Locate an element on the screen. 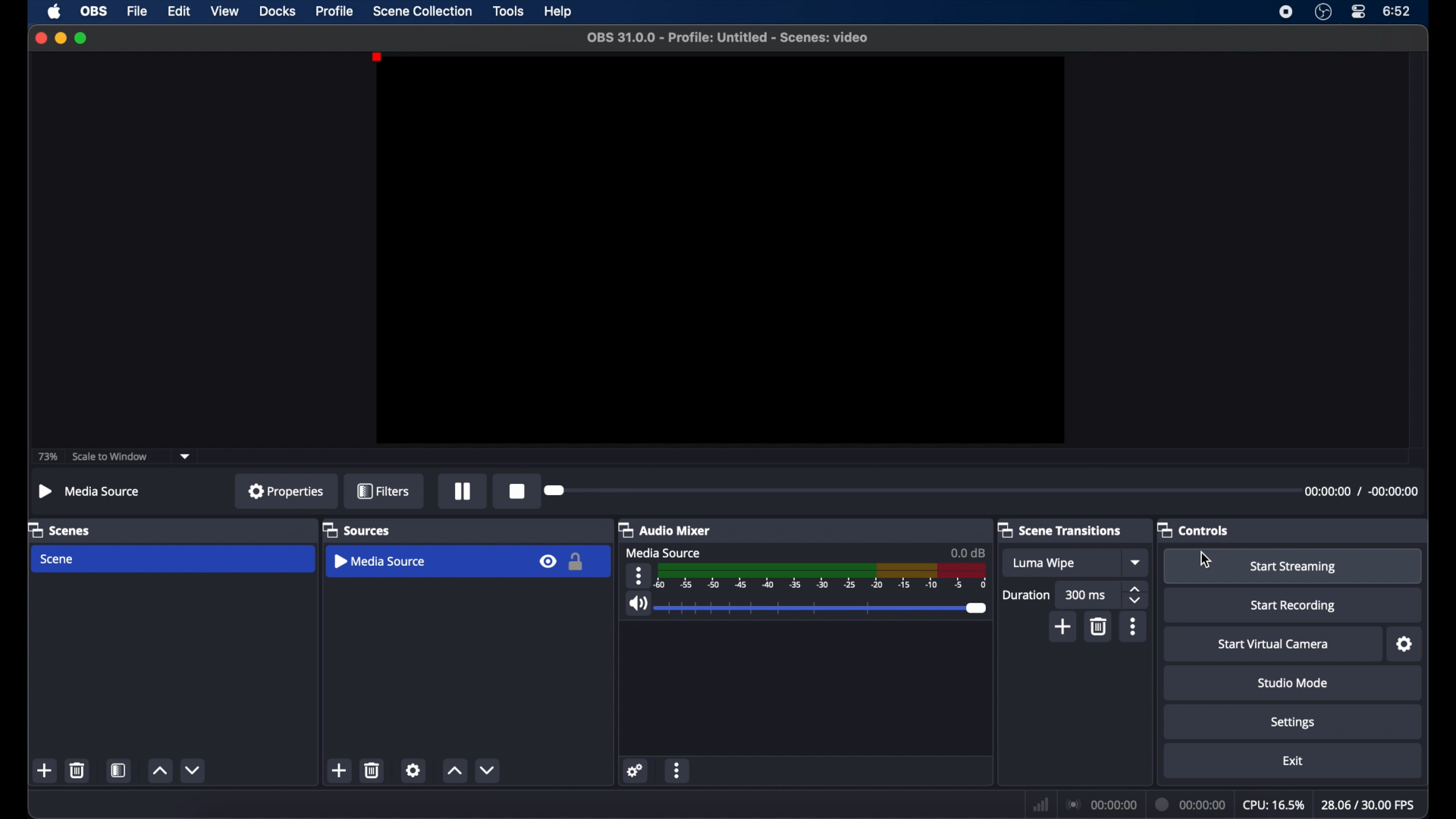 Image resolution: width=1456 pixels, height=819 pixels. cpu is located at coordinates (1274, 805).